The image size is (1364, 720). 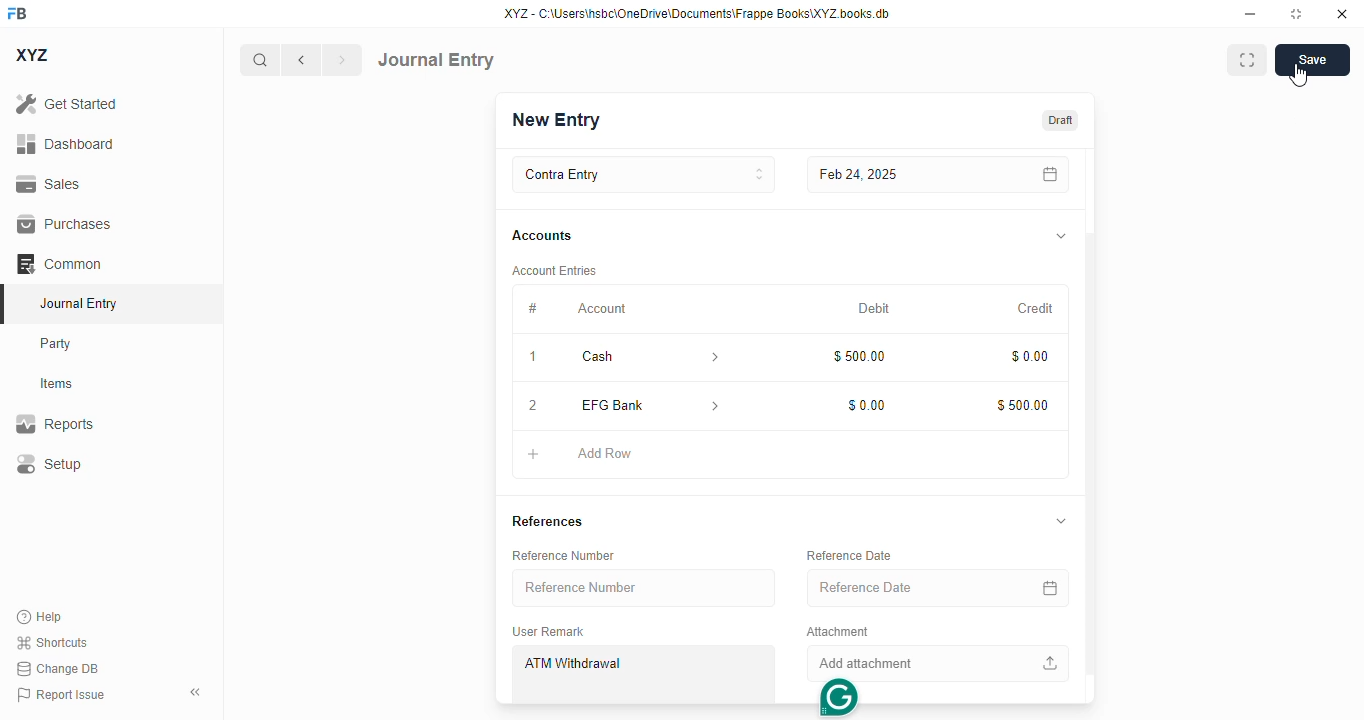 I want to click on shortcuts, so click(x=52, y=642).